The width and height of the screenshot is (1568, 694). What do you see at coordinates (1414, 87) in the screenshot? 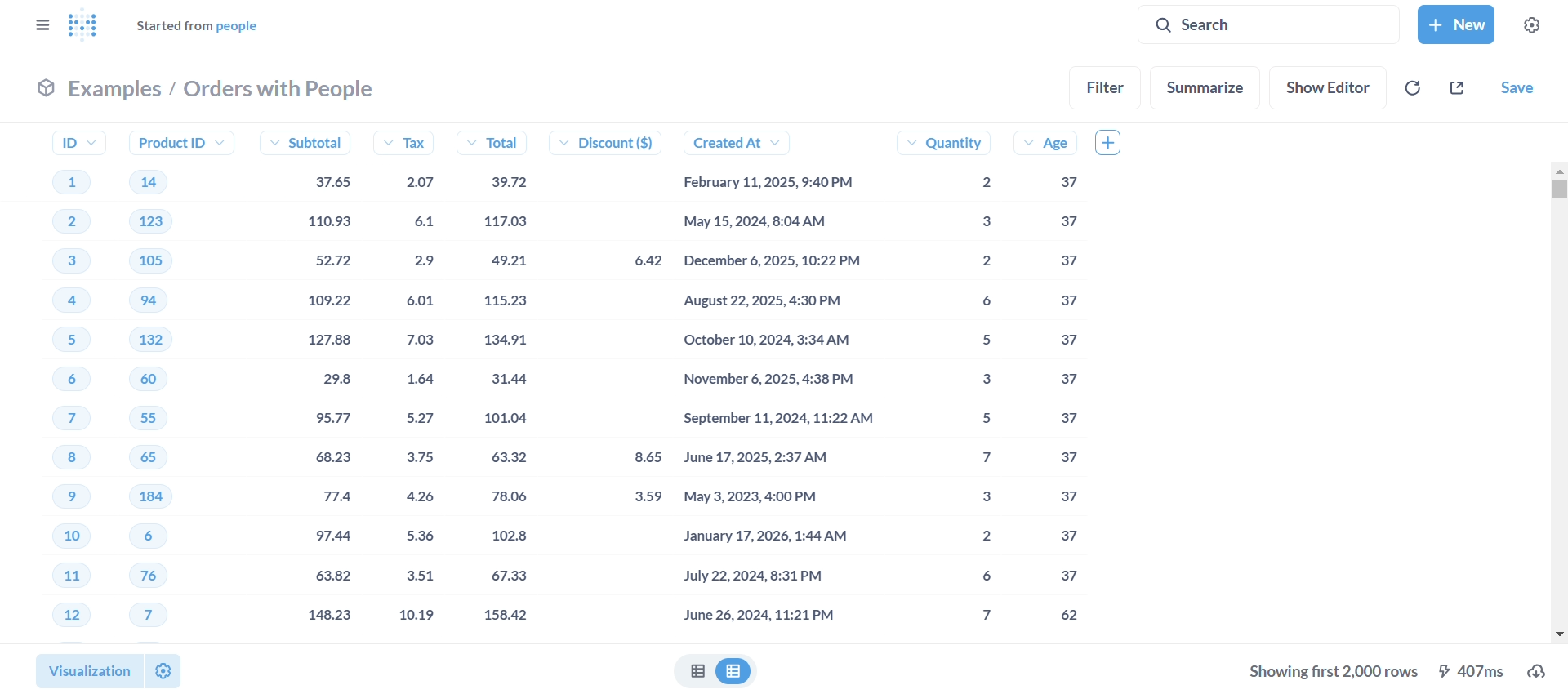
I see `auto-refresh` at bounding box center [1414, 87].